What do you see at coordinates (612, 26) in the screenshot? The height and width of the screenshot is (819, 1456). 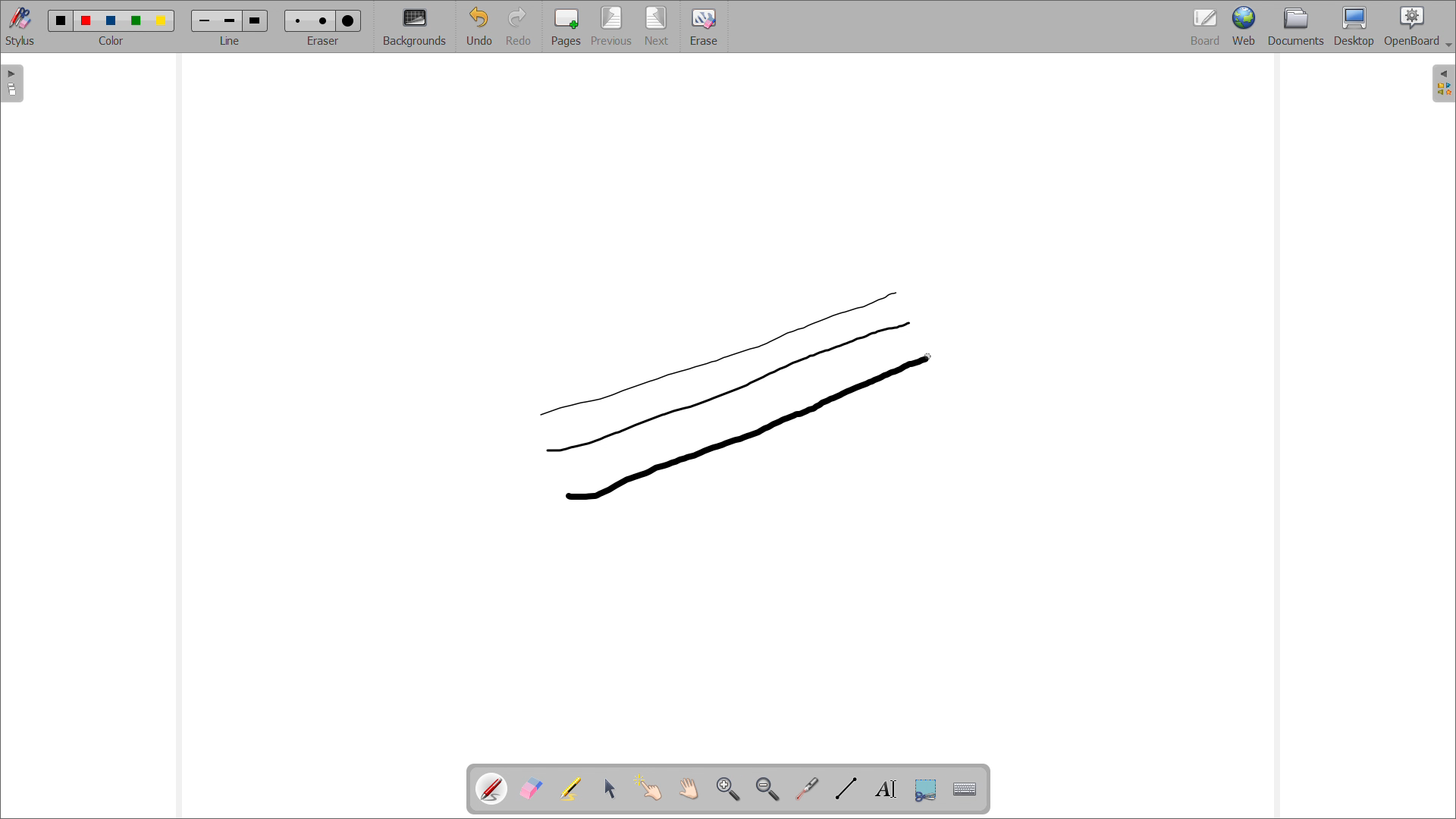 I see `previous page` at bounding box center [612, 26].